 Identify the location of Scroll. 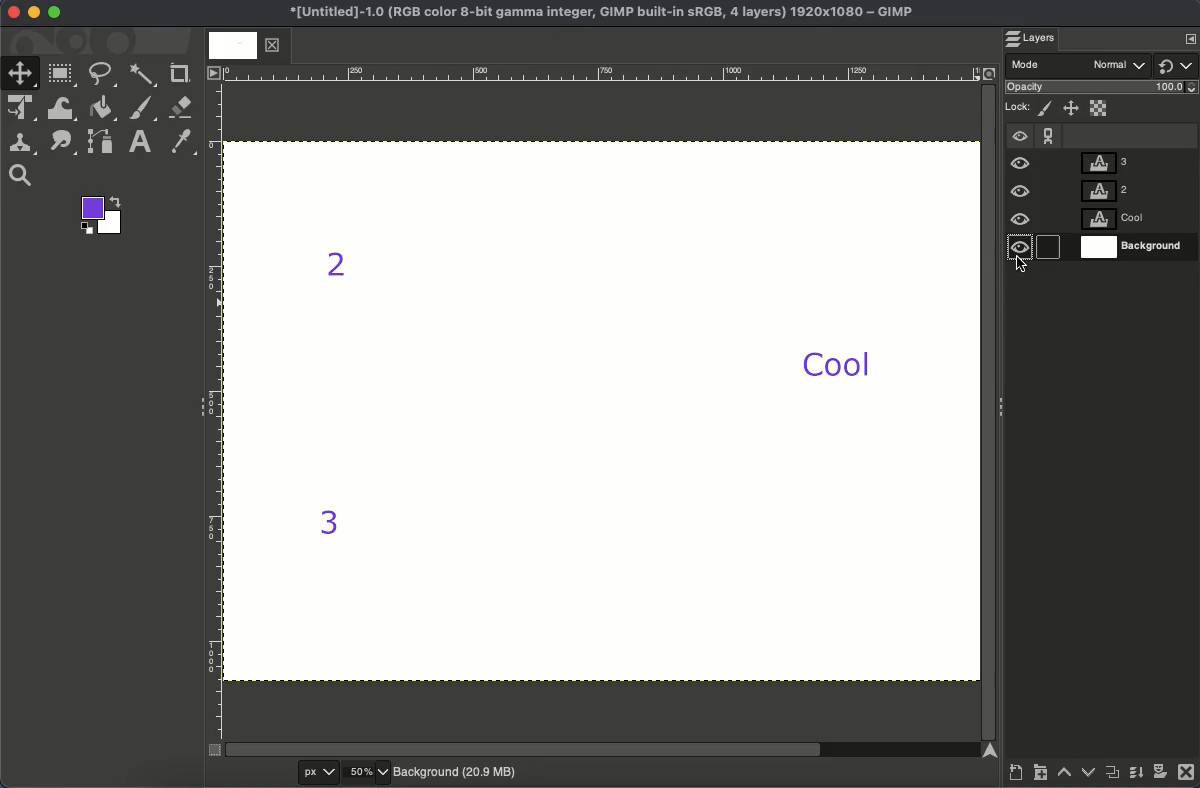
(988, 409).